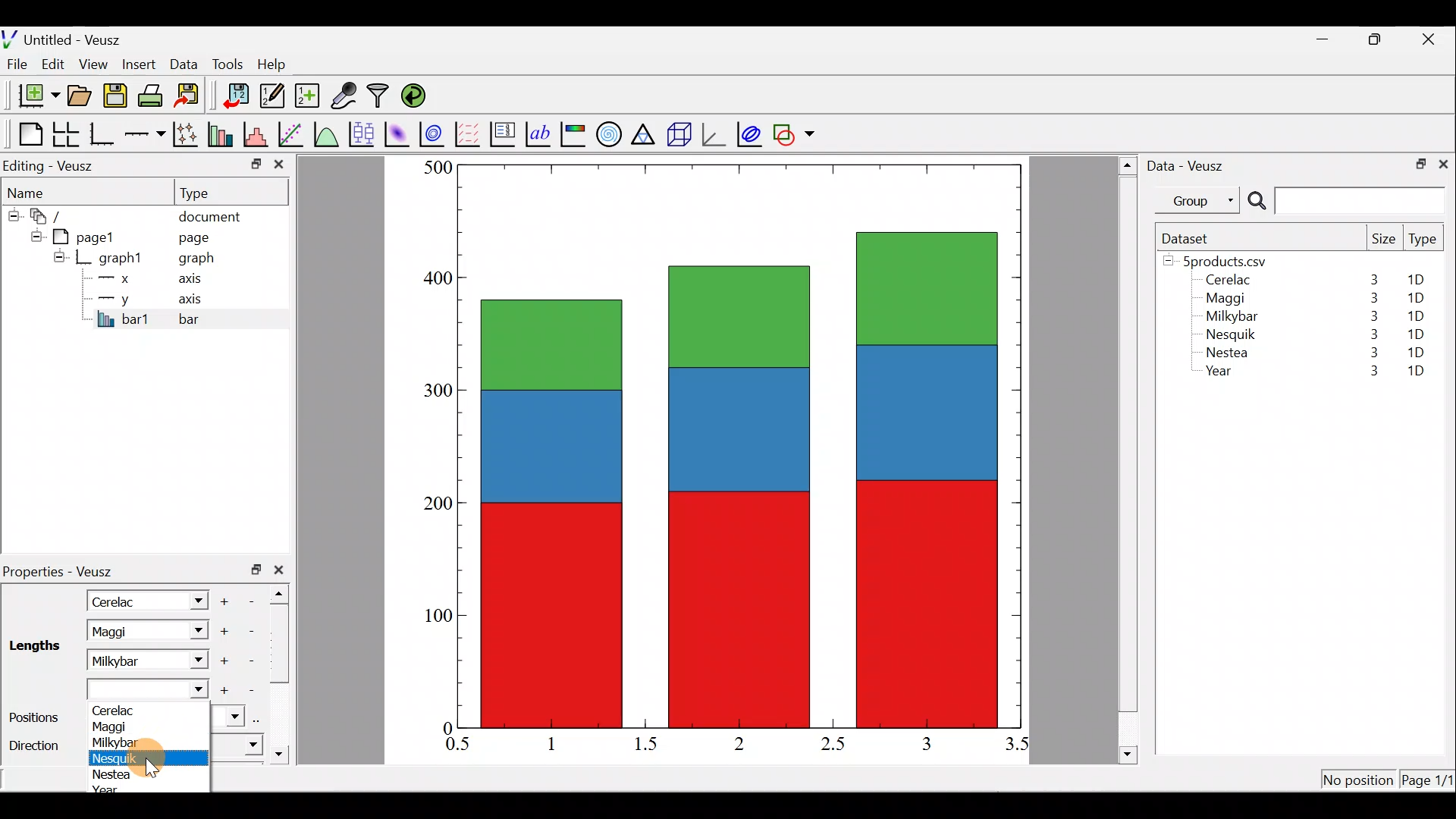  What do you see at coordinates (115, 759) in the screenshot?
I see `Nesquik` at bounding box center [115, 759].